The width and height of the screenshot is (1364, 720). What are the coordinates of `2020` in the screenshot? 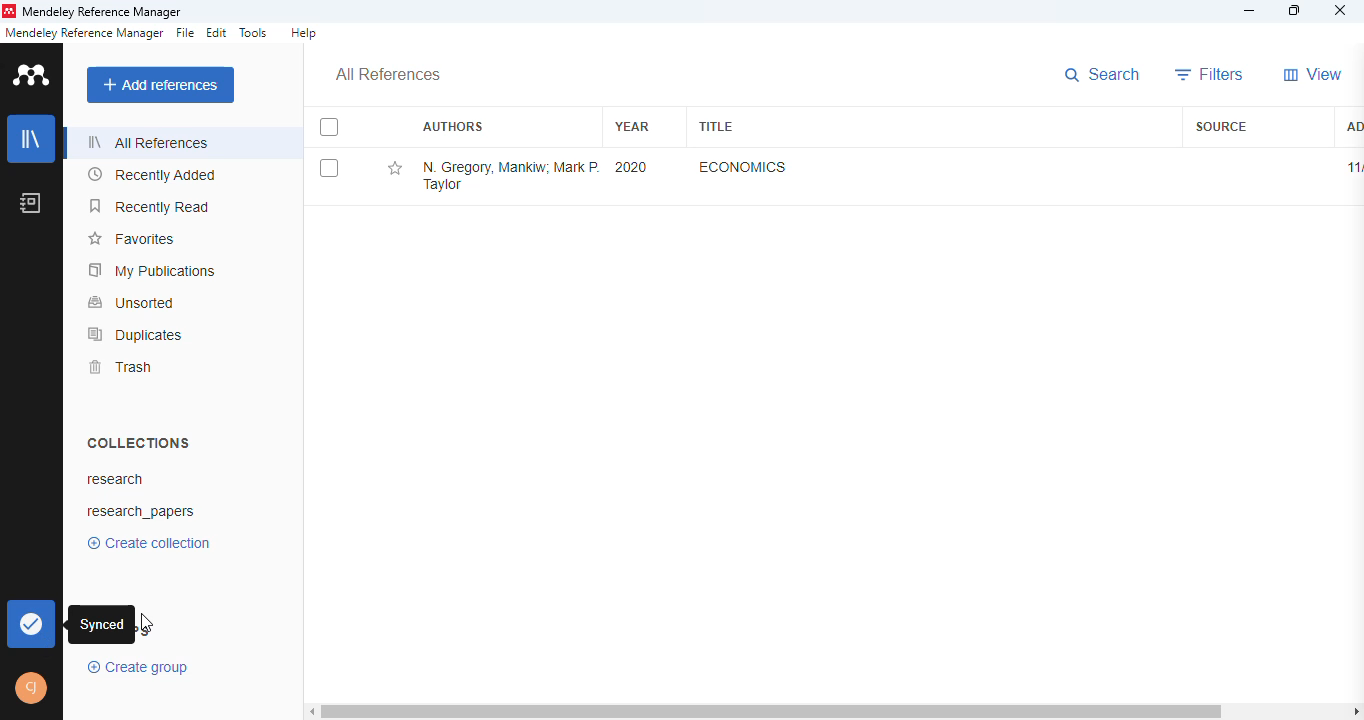 It's located at (632, 167).